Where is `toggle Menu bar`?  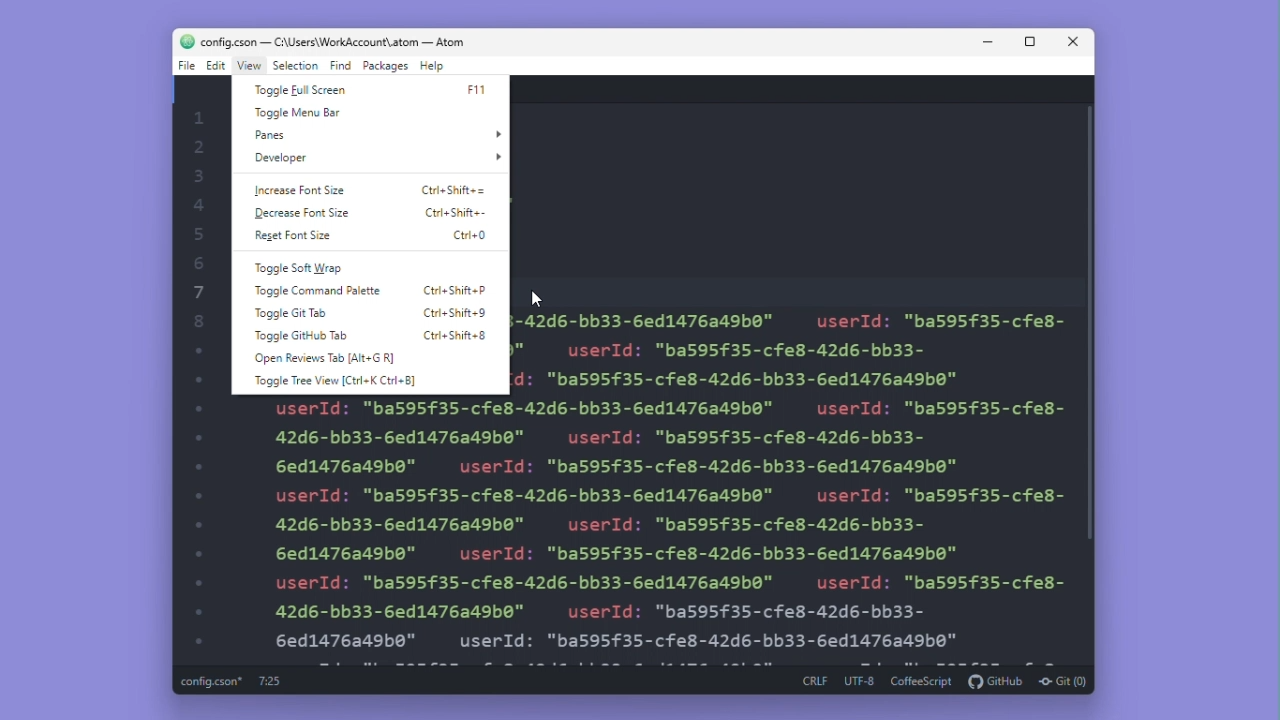 toggle Menu bar is located at coordinates (296, 113).